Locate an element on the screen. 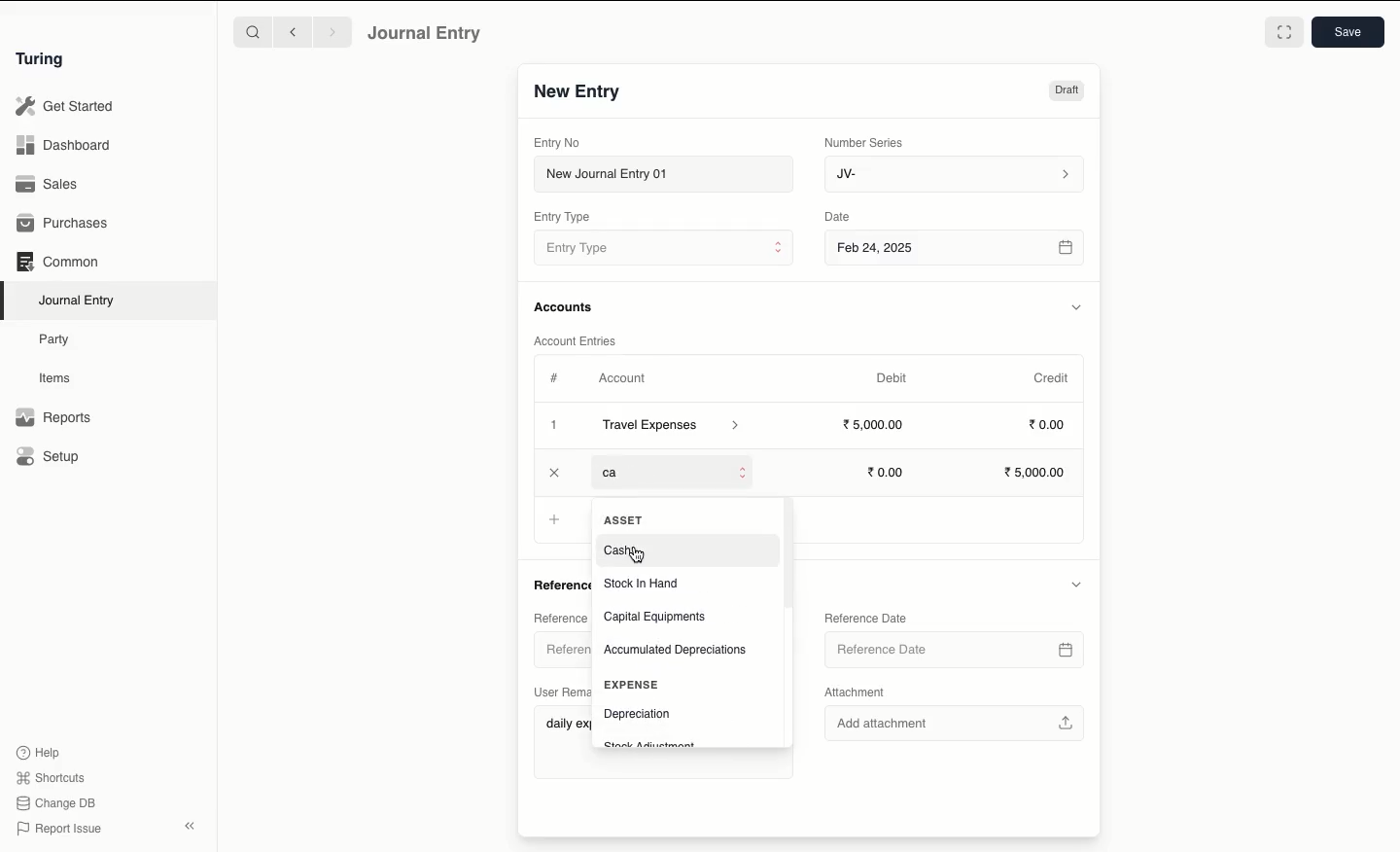 The height and width of the screenshot is (852, 1400). 0.00 is located at coordinates (887, 473).